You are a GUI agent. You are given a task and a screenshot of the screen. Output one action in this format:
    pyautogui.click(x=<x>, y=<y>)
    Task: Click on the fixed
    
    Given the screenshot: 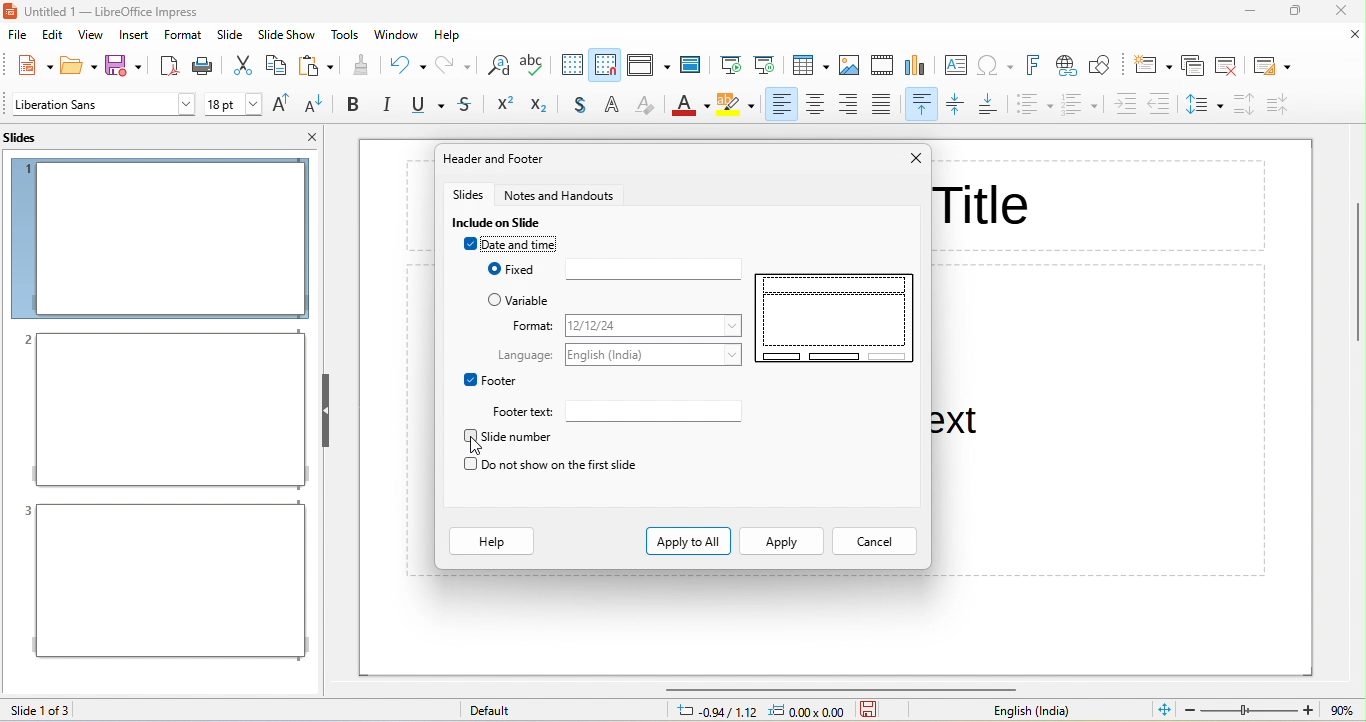 What is the action you would take?
    pyautogui.click(x=522, y=270)
    